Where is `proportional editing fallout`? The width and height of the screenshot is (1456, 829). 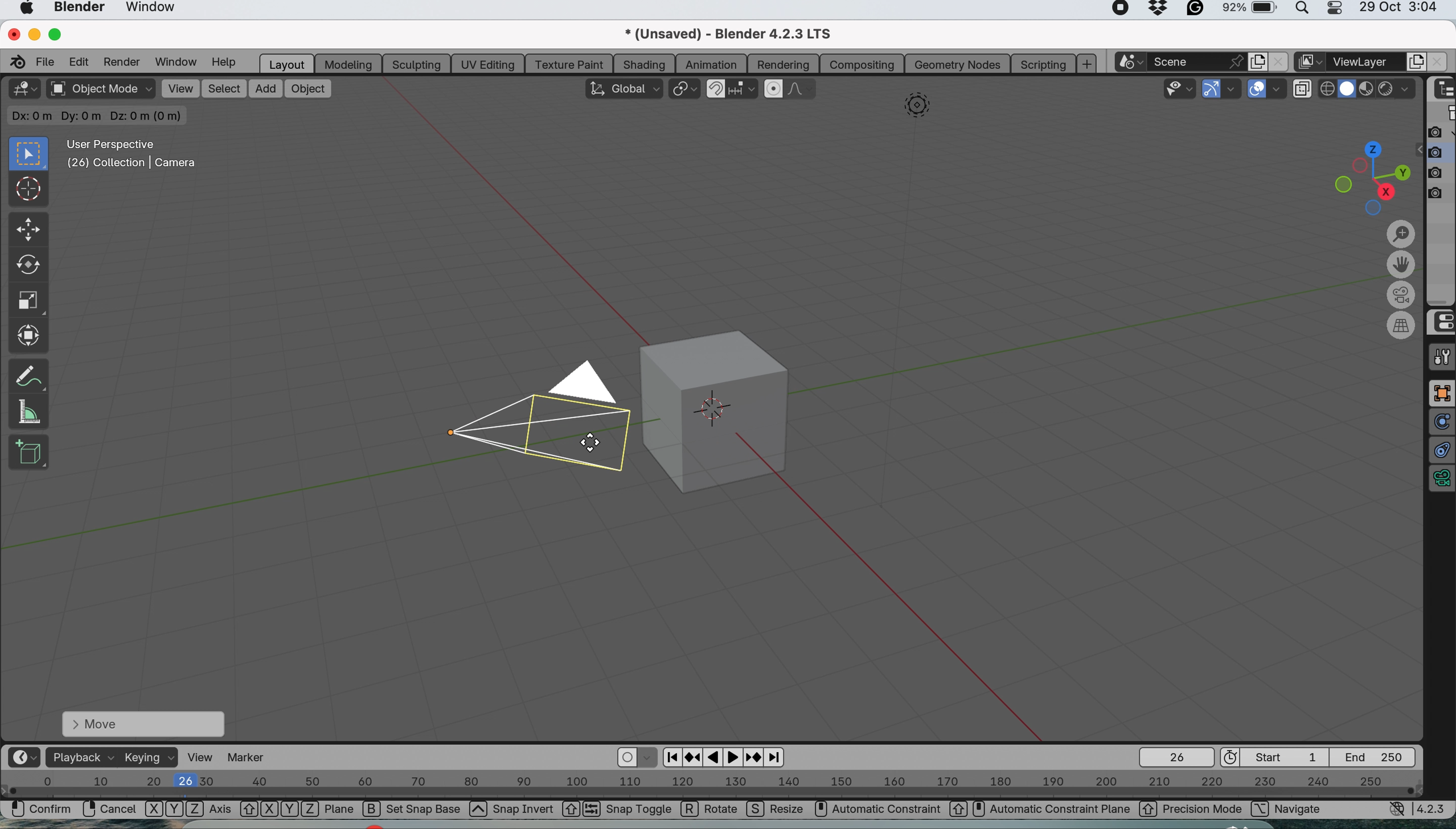
proportional editing fallout is located at coordinates (803, 89).